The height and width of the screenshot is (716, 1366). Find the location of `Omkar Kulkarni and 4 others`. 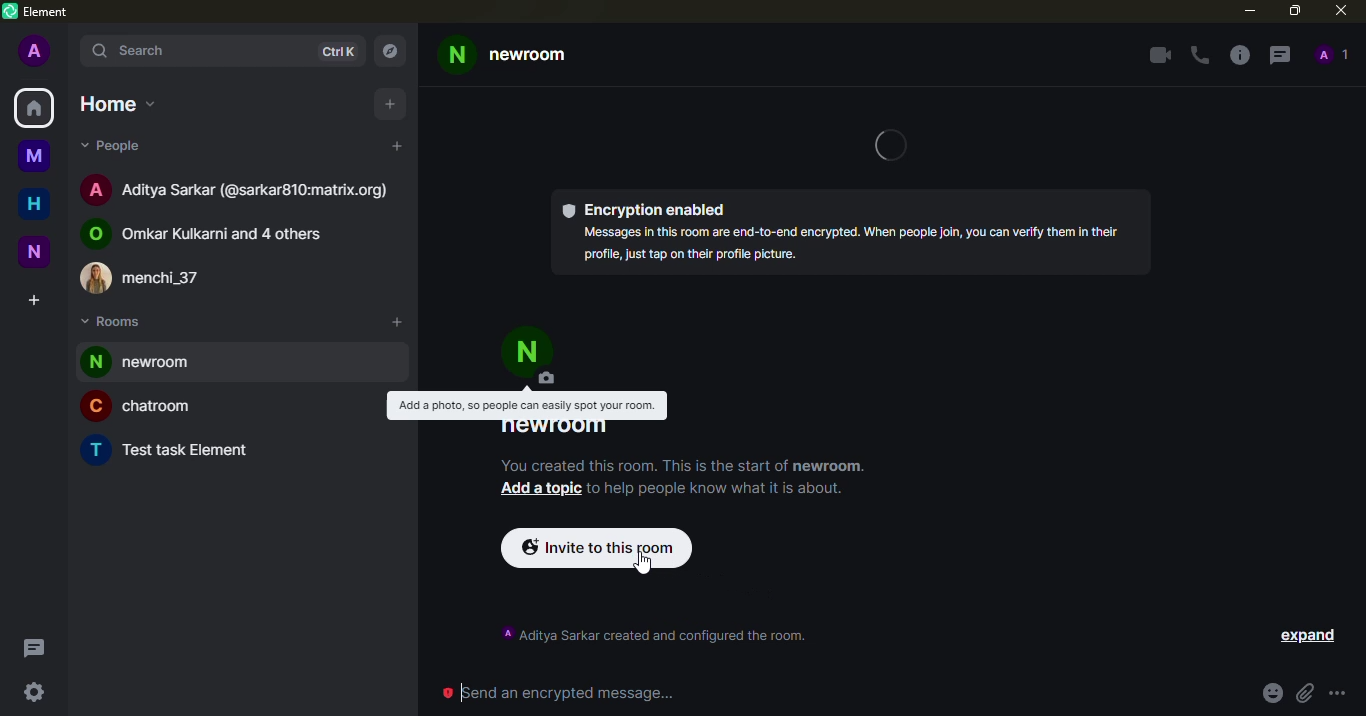

Omkar Kulkarni and 4 others is located at coordinates (205, 237).